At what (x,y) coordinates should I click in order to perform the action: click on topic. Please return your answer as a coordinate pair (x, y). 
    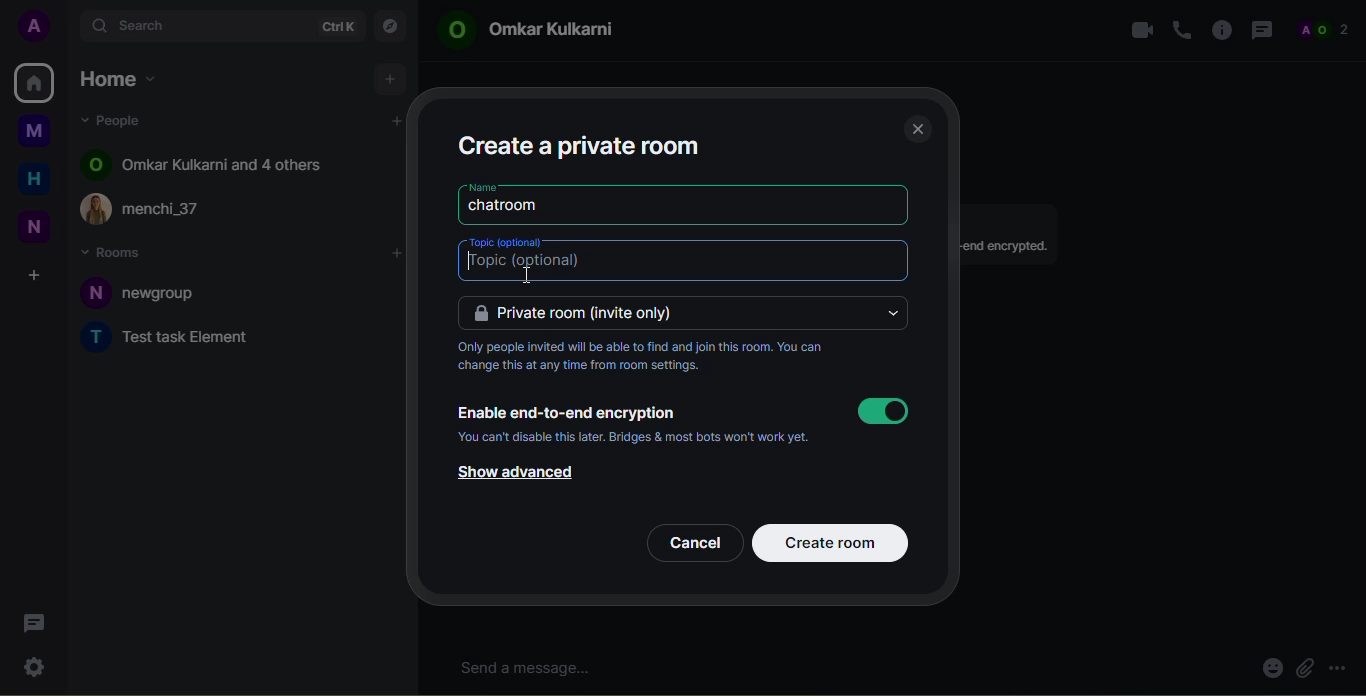
    Looking at the image, I should click on (508, 239).